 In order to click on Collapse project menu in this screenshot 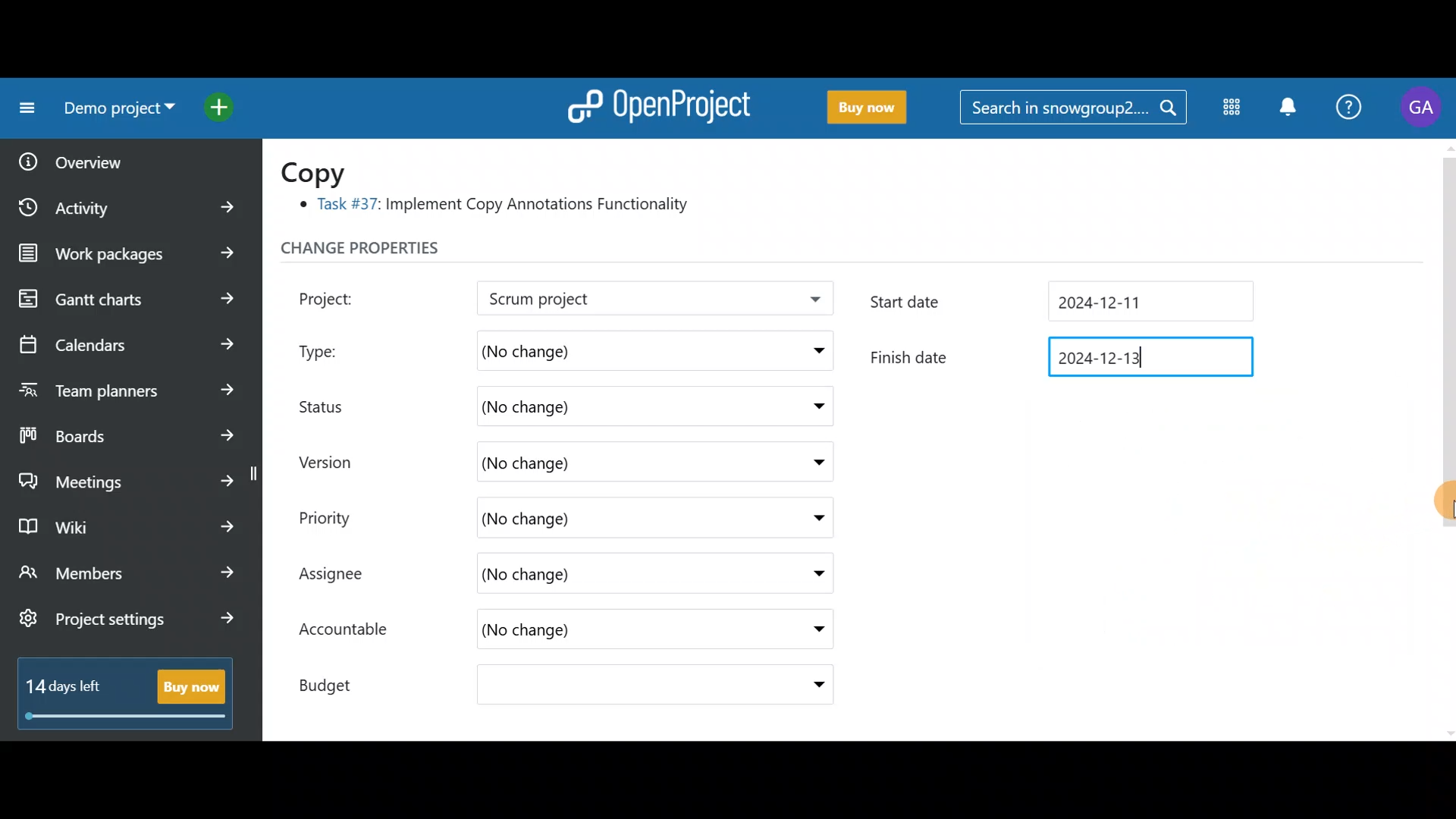, I will do `click(24, 108)`.